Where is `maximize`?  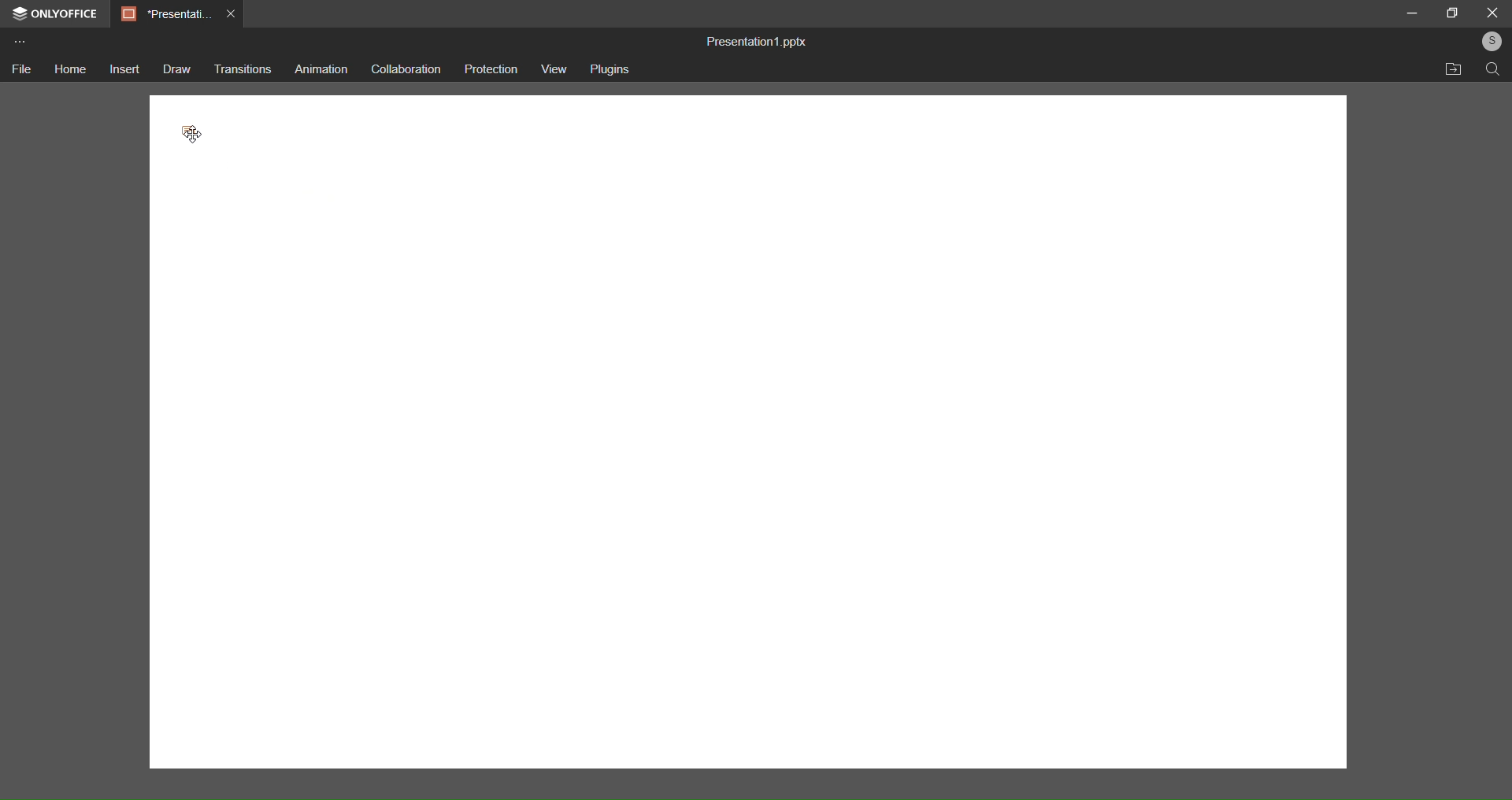 maximize is located at coordinates (1452, 13).